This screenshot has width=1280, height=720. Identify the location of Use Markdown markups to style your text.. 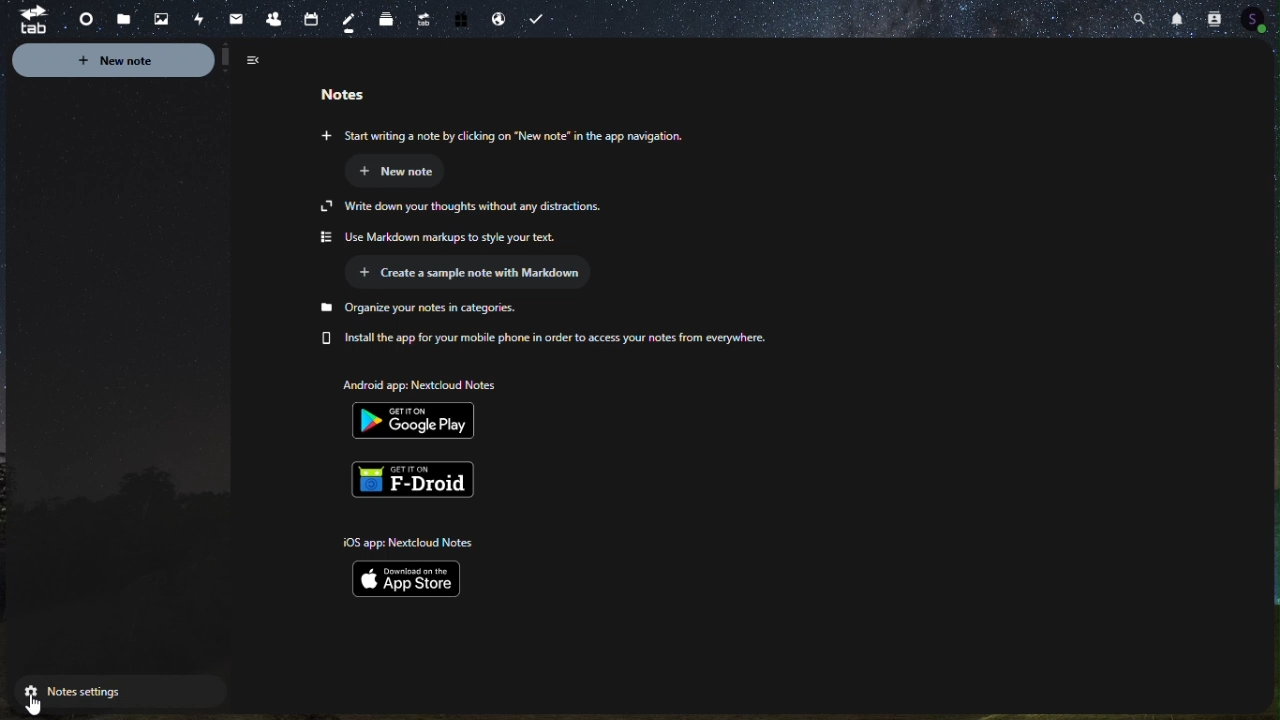
(442, 237).